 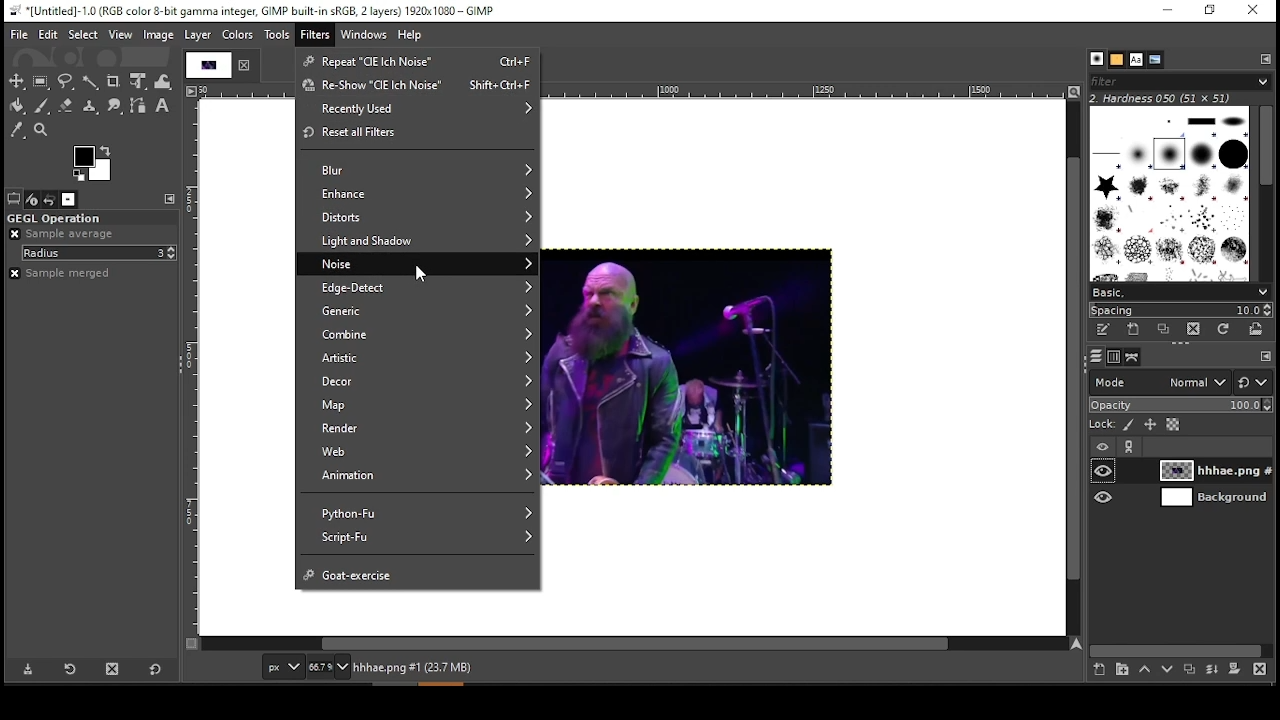 I want to click on paint bucket tool, so click(x=16, y=105).